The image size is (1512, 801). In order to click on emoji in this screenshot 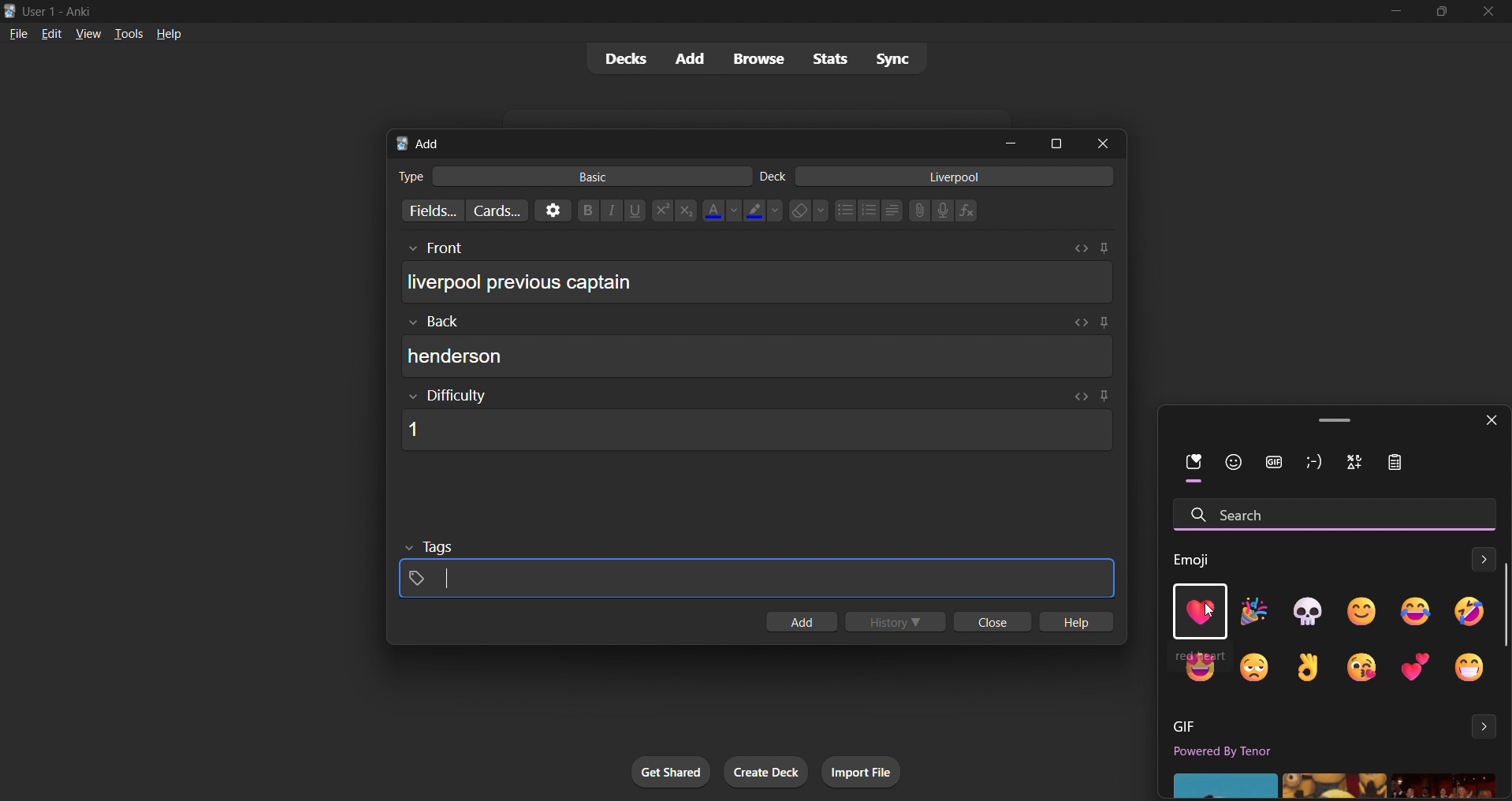, I will do `click(1360, 611)`.